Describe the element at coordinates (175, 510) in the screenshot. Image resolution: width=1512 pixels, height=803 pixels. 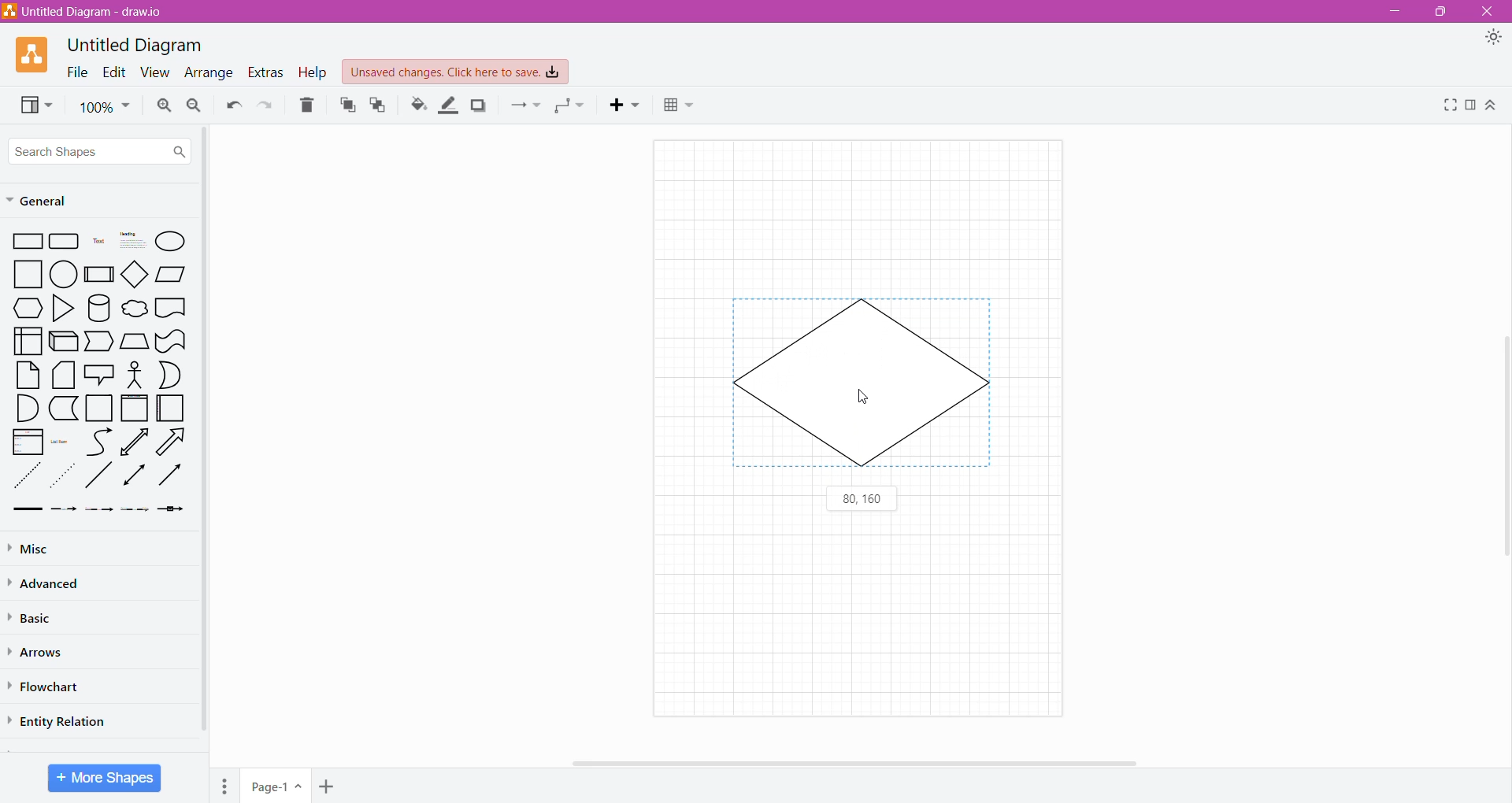
I see `Connector with Icon Symbol` at that location.